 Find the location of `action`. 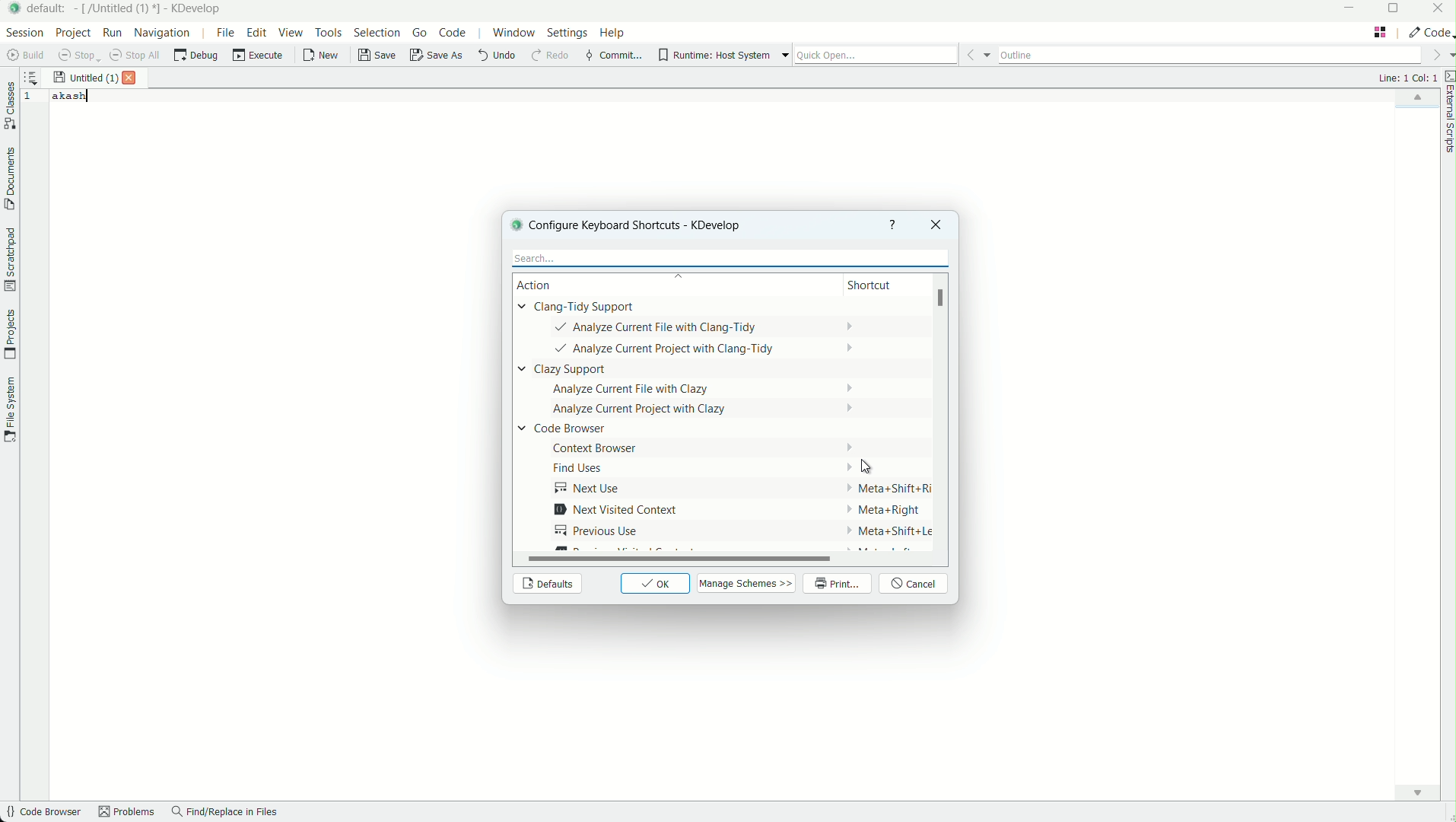

action is located at coordinates (544, 285).